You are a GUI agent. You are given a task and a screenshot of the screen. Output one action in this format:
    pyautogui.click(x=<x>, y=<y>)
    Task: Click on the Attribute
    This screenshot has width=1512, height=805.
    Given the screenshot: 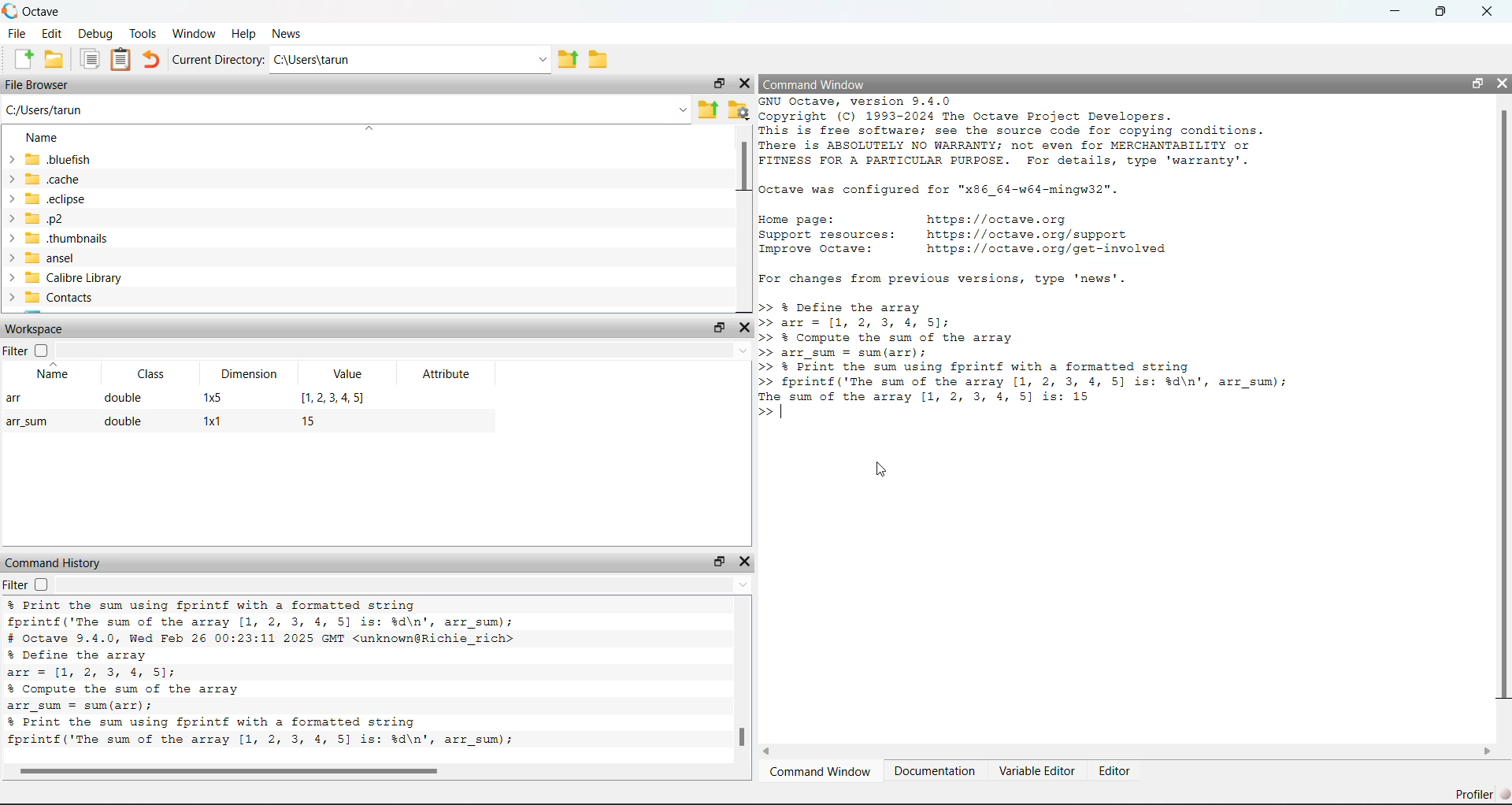 What is the action you would take?
    pyautogui.click(x=437, y=373)
    